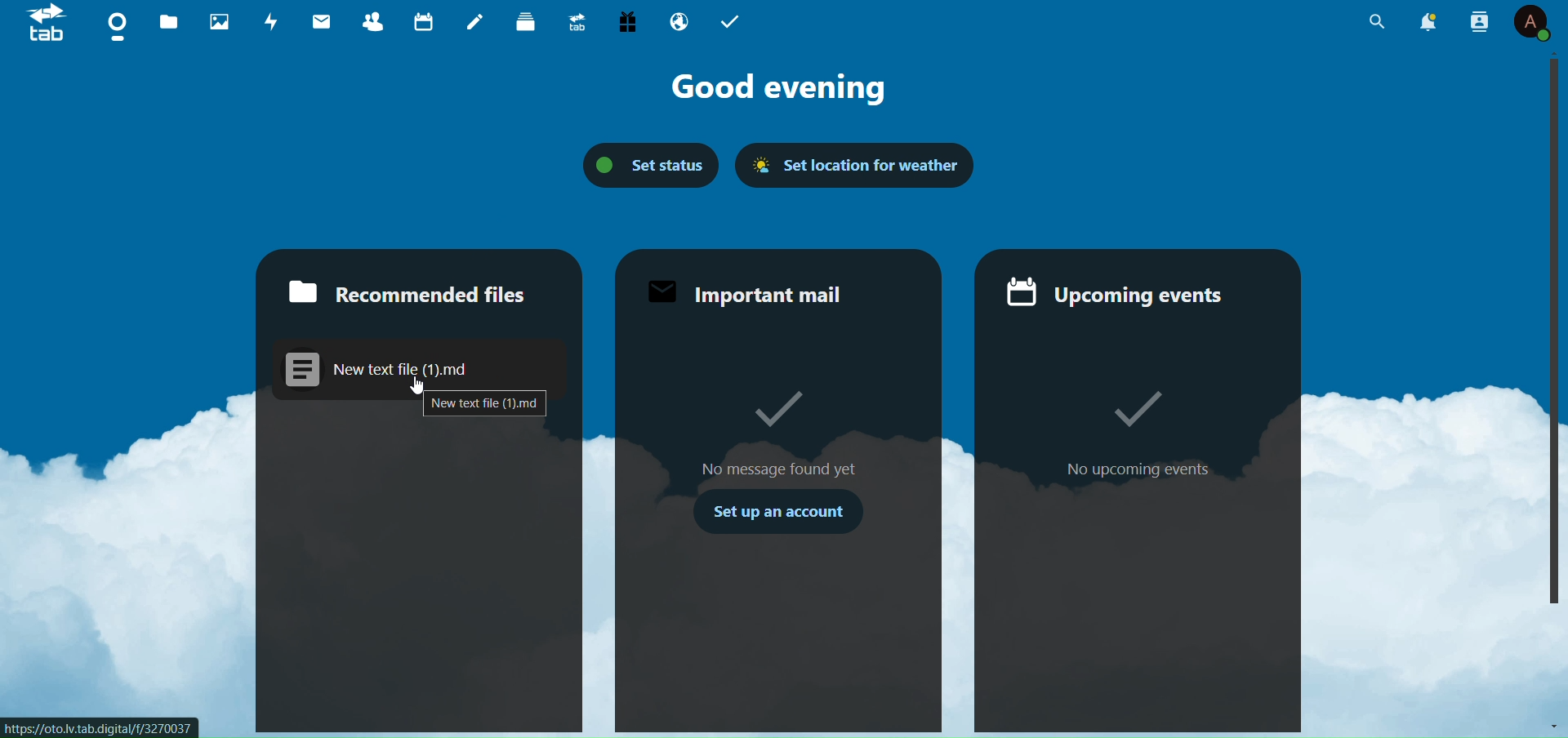  Describe the element at coordinates (1125, 295) in the screenshot. I see `upcoming events` at that location.